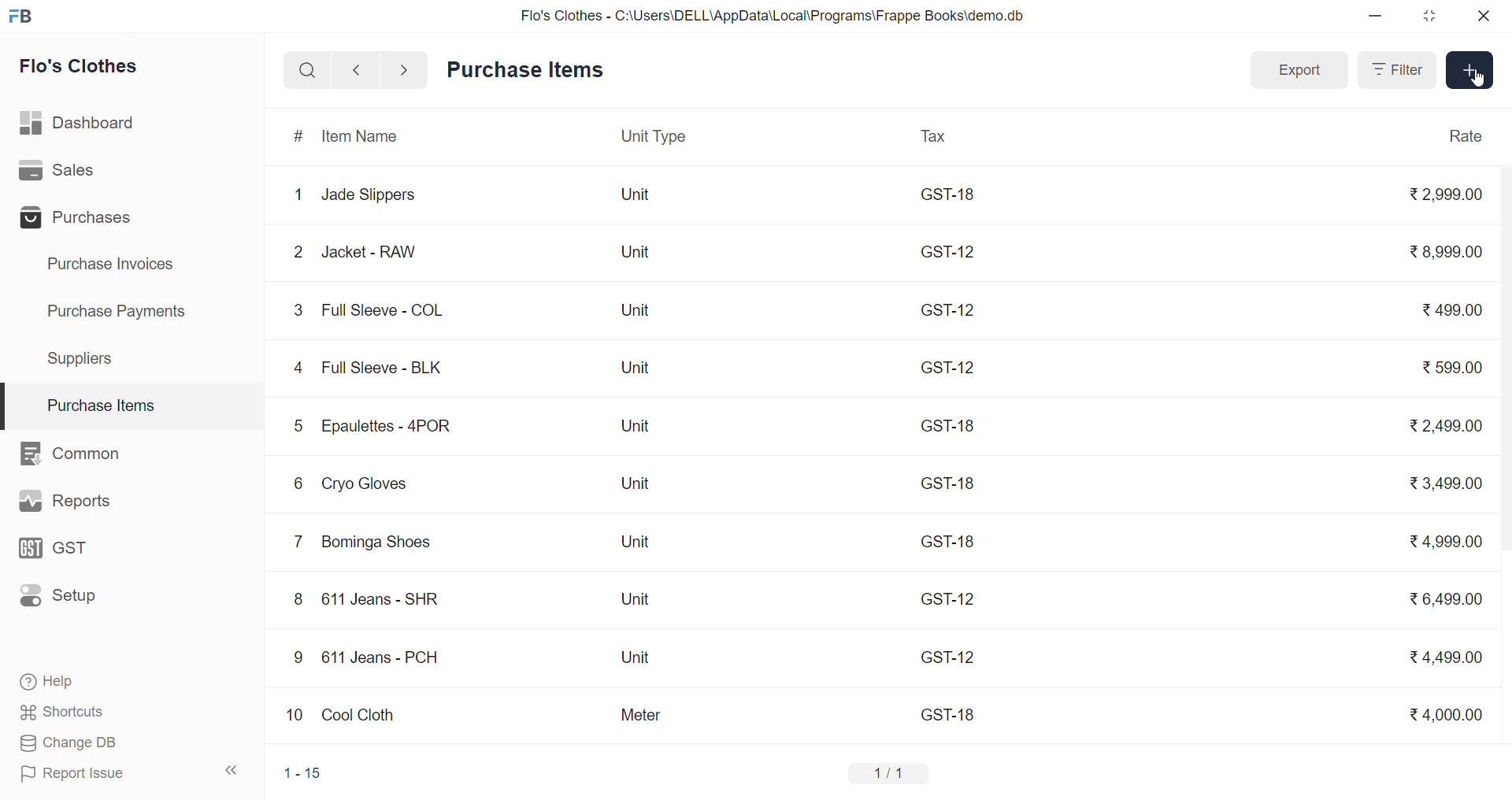 Image resolution: width=1512 pixels, height=800 pixels. Describe the element at coordinates (301, 136) in the screenshot. I see `#` at that location.